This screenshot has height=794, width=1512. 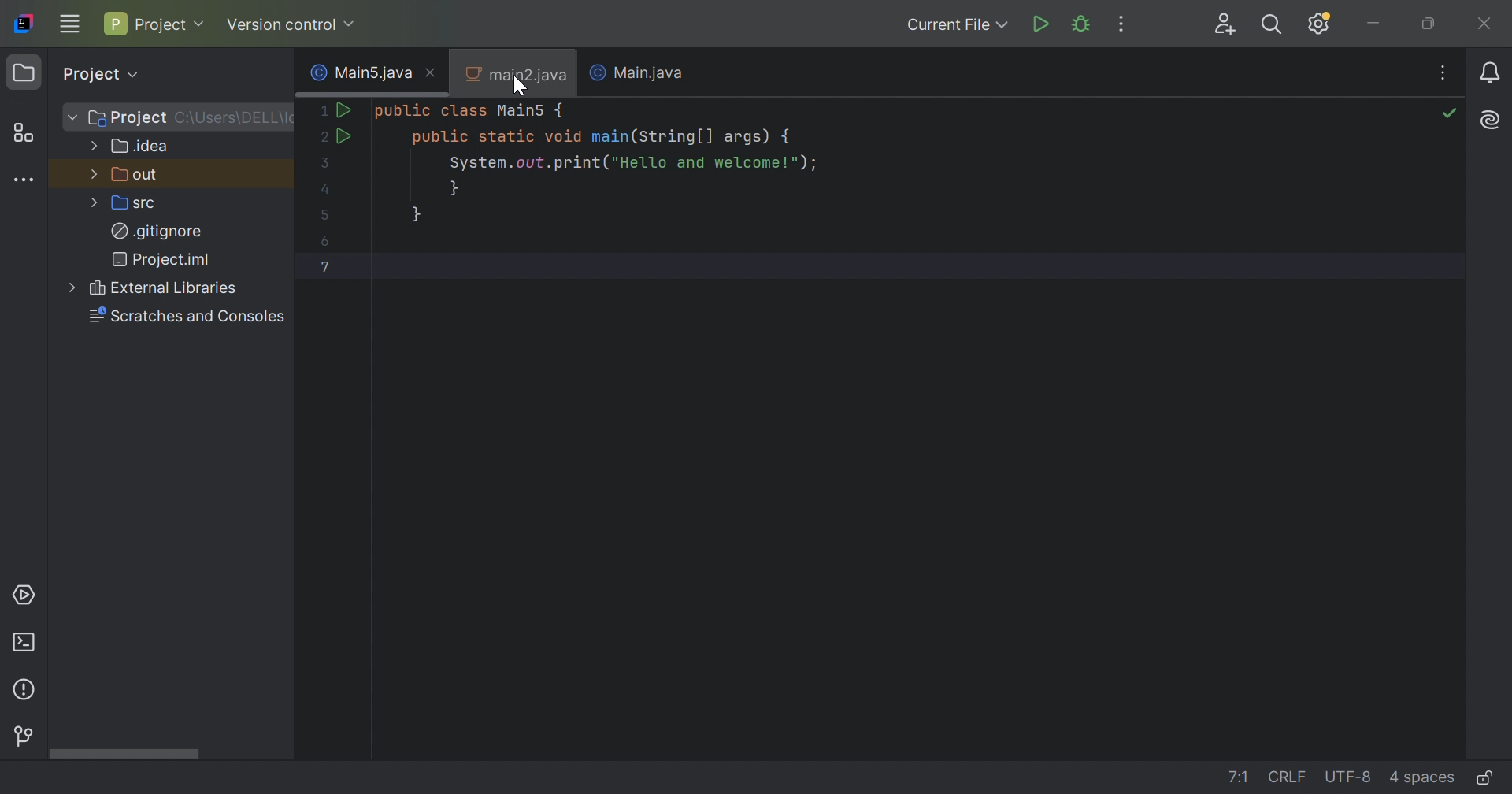 What do you see at coordinates (322, 137) in the screenshot?
I see `2` at bounding box center [322, 137].